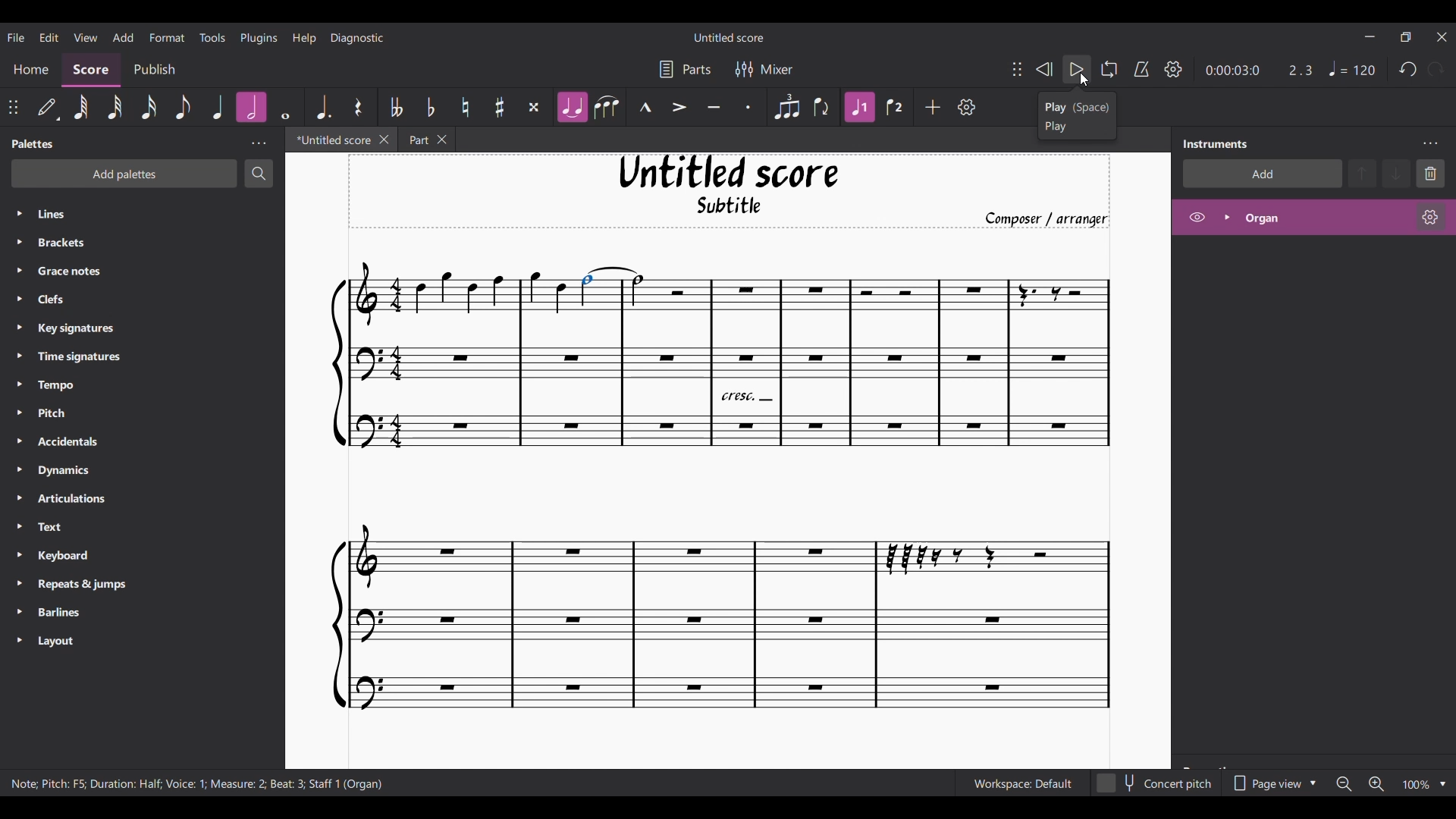 This screenshot has height=819, width=1456. Describe the element at coordinates (1376, 784) in the screenshot. I see `Zoom in` at that location.